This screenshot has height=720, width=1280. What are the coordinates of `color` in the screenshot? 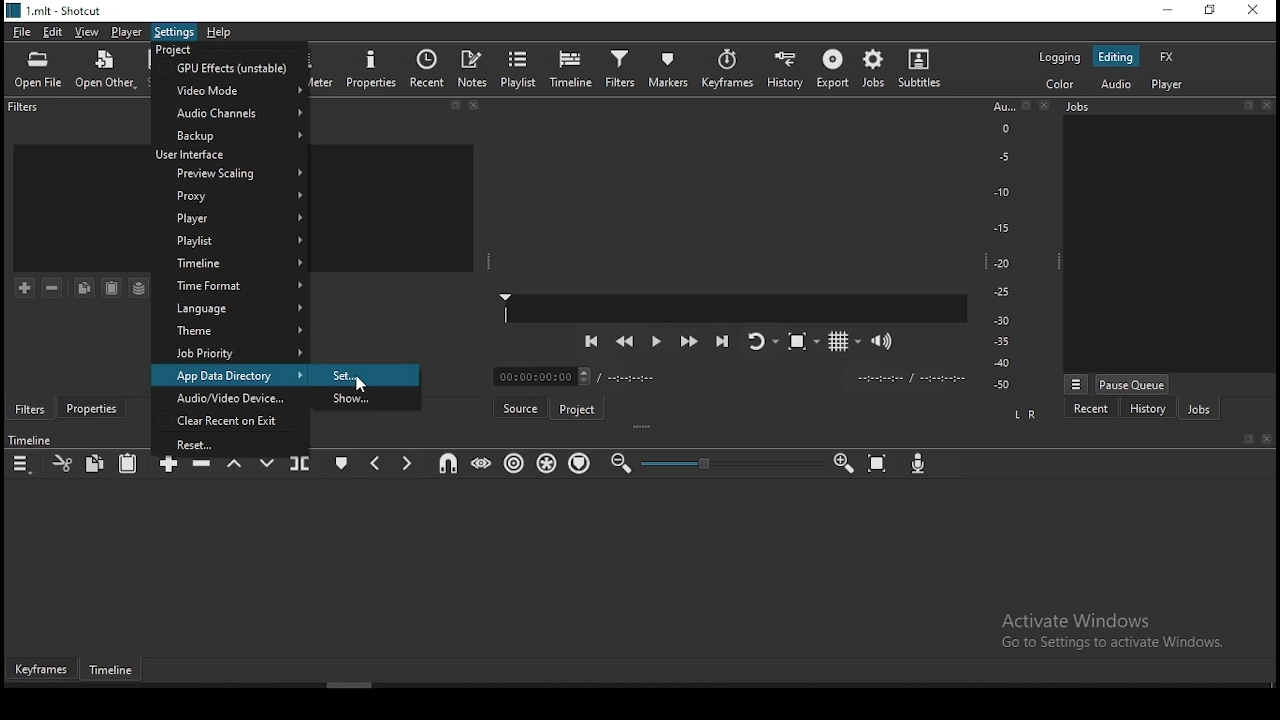 It's located at (1057, 85).